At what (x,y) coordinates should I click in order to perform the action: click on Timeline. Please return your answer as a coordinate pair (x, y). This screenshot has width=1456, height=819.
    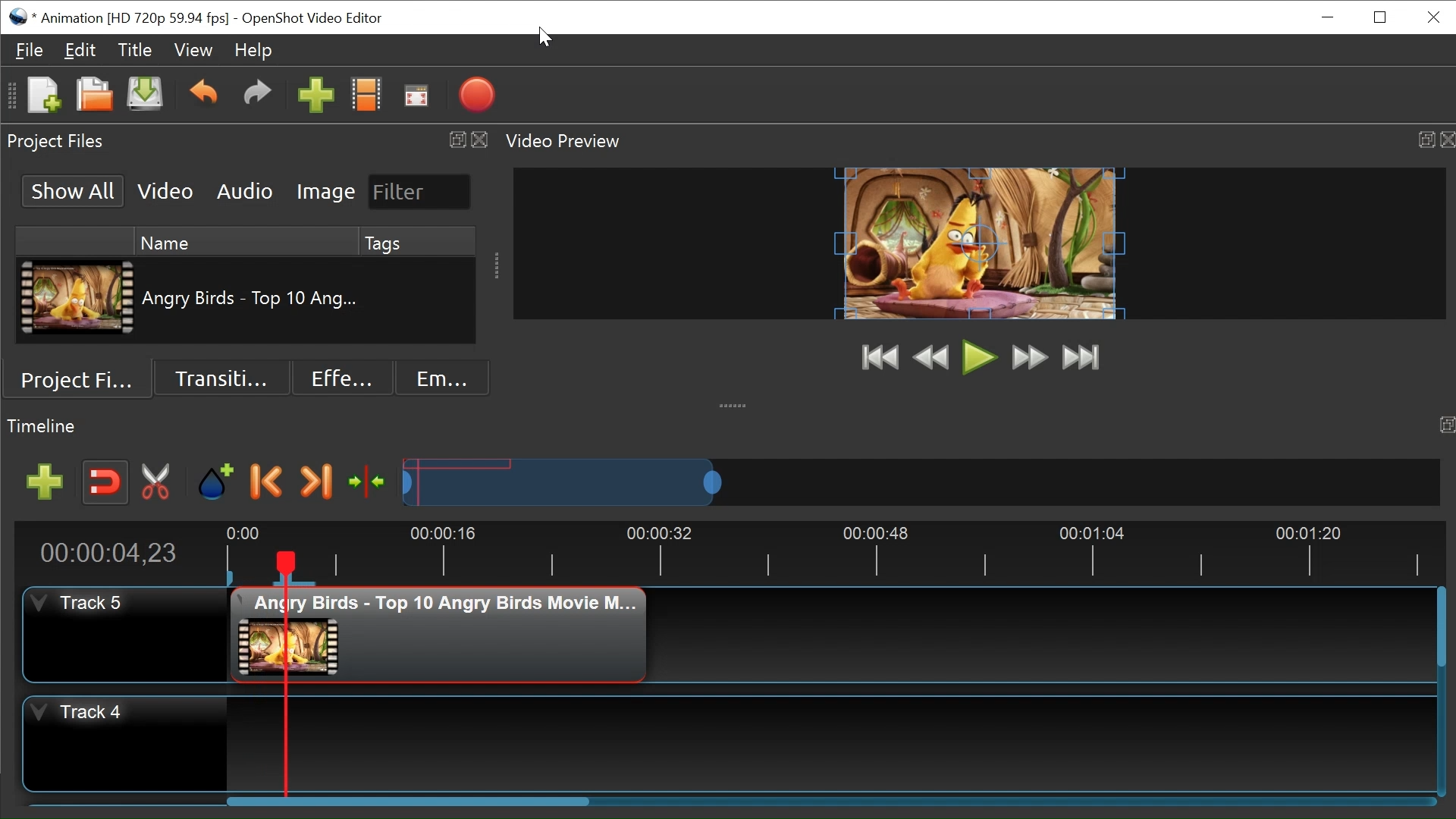
    Looking at the image, I should click on (825, 553).